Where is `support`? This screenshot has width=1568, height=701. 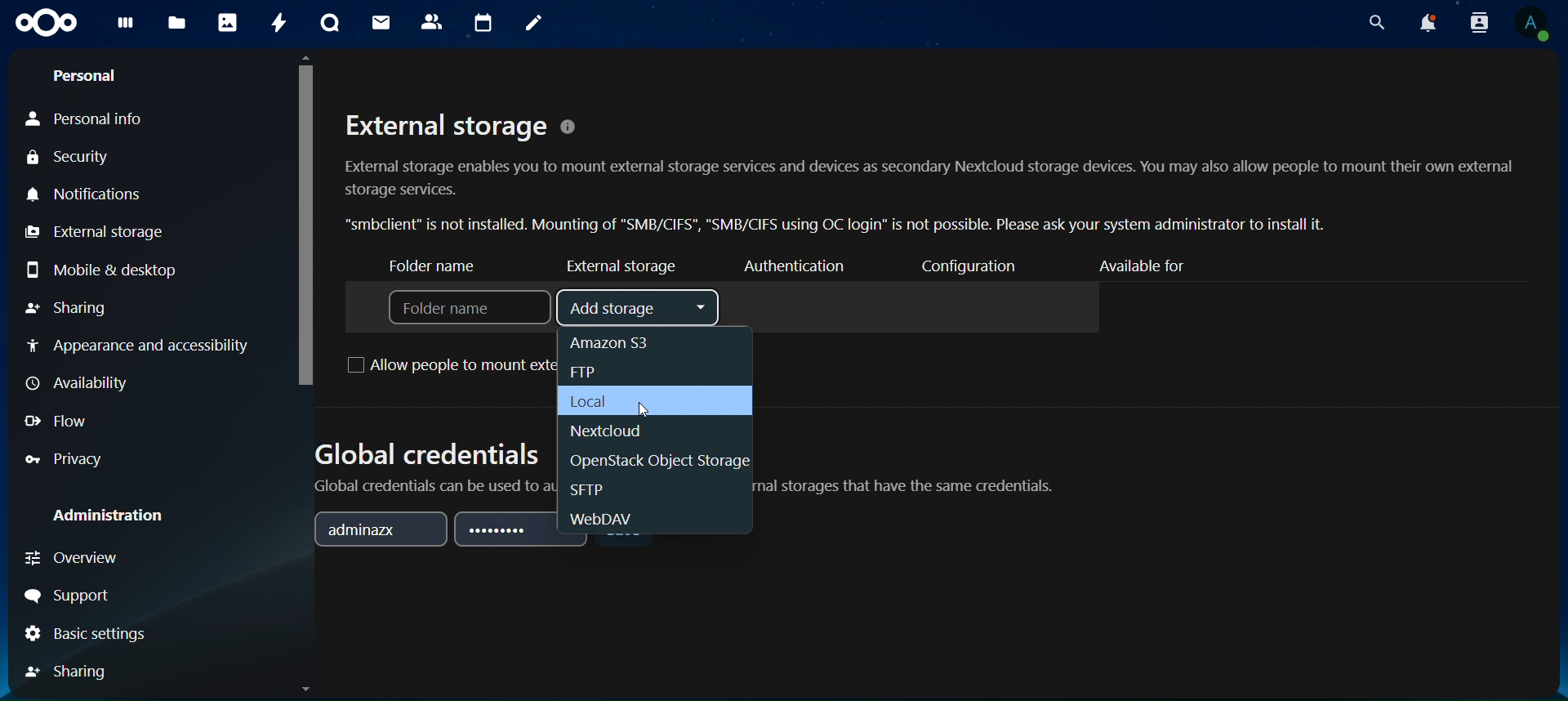
support is located at coordinates (73, 592).